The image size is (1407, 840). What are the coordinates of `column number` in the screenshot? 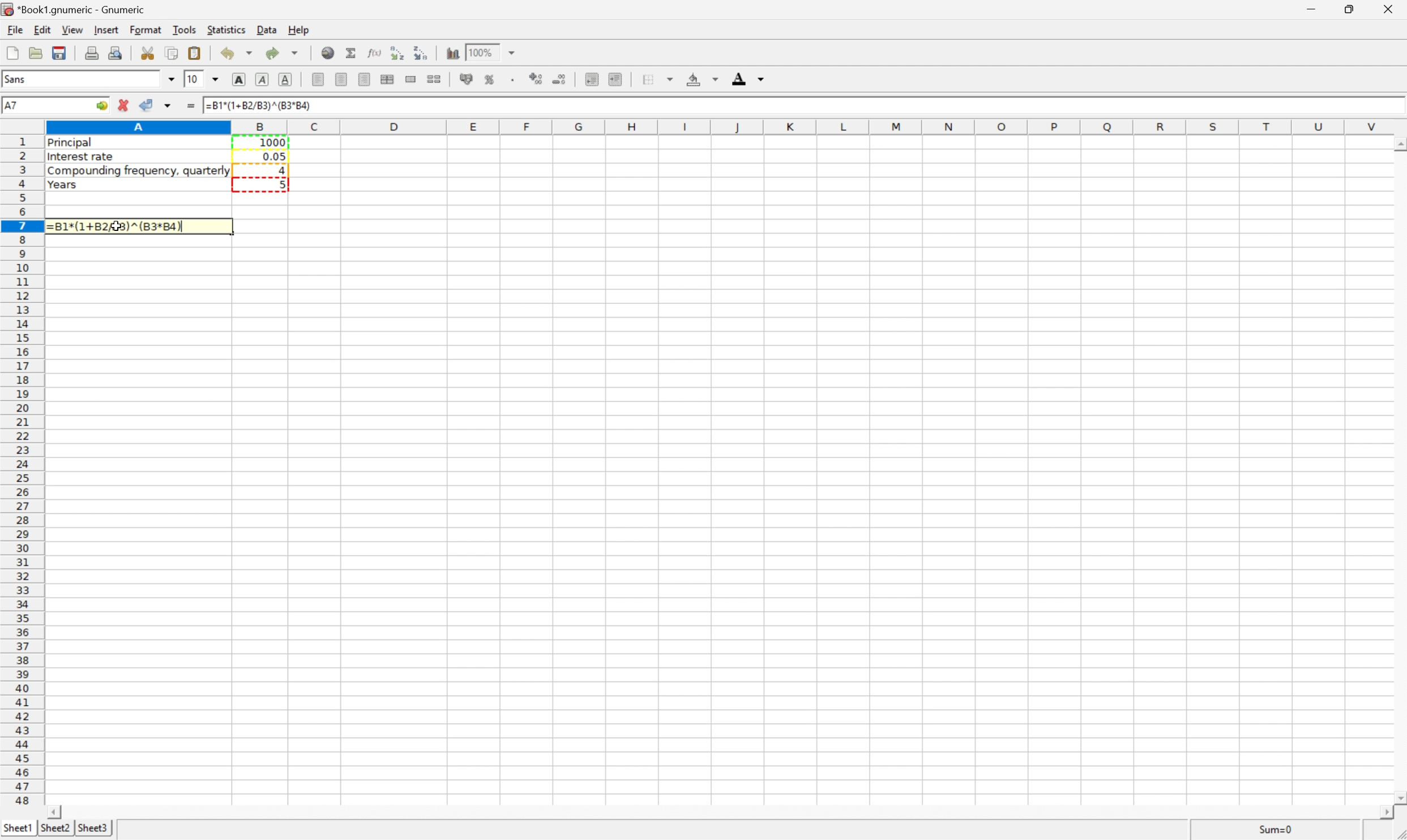 It's located at (724, 126).